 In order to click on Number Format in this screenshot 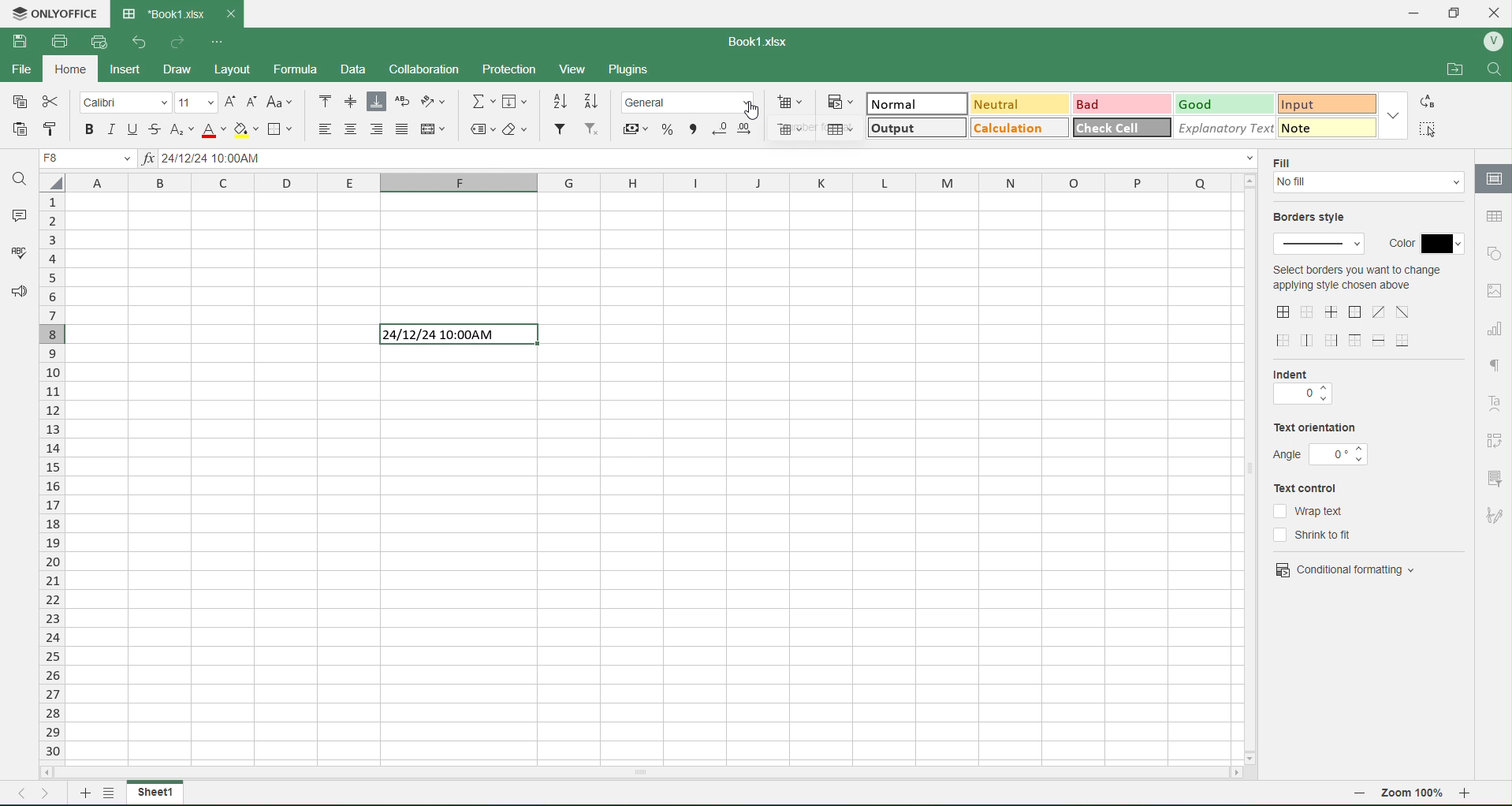, I will do `click(691, 101)`.